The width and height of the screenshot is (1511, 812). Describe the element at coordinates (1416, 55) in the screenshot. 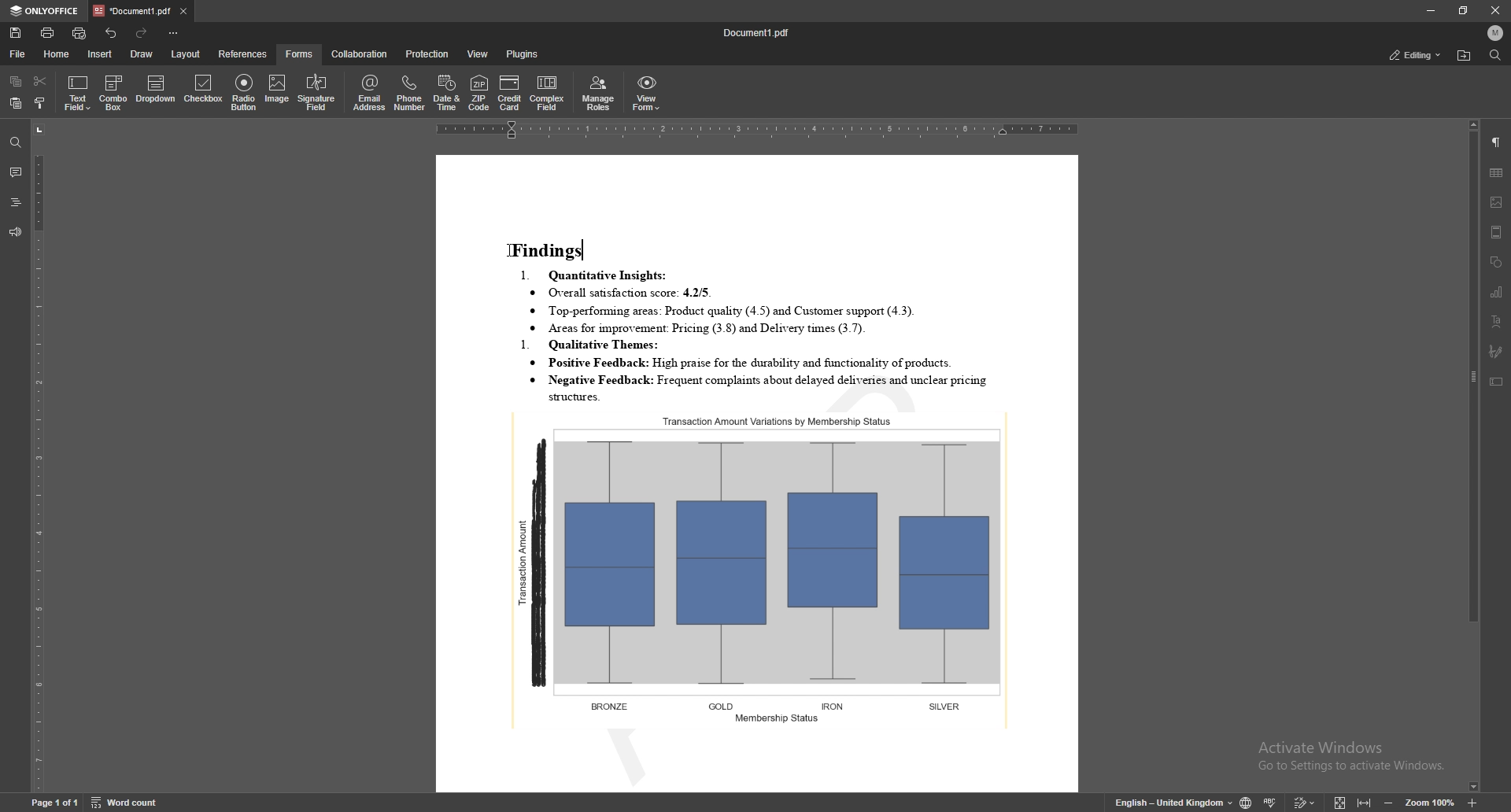

I see `status` at that location.